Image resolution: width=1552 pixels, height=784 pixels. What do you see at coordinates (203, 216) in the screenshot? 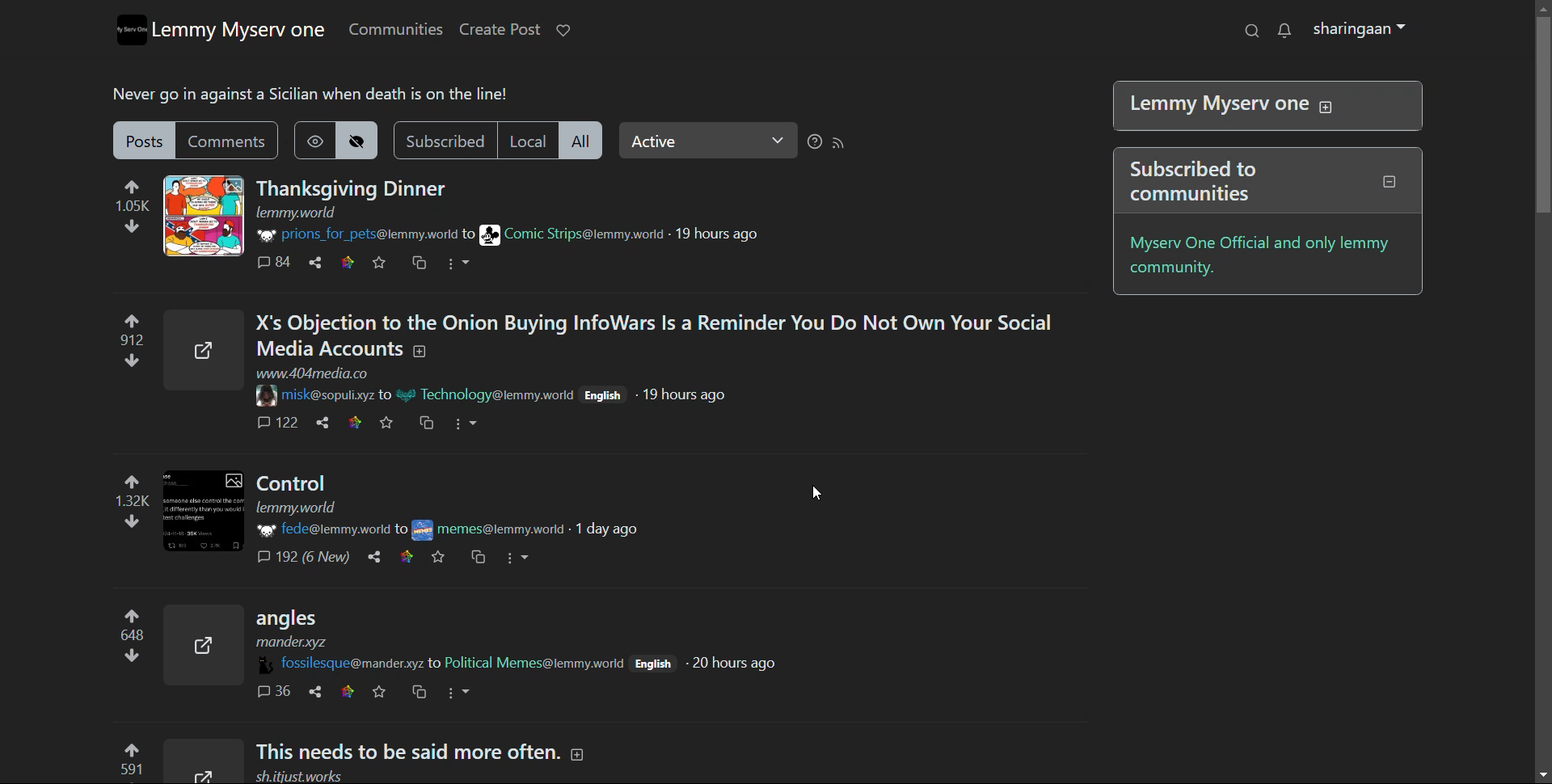
I see `expand here with the image` at bounding box center [203, 216].